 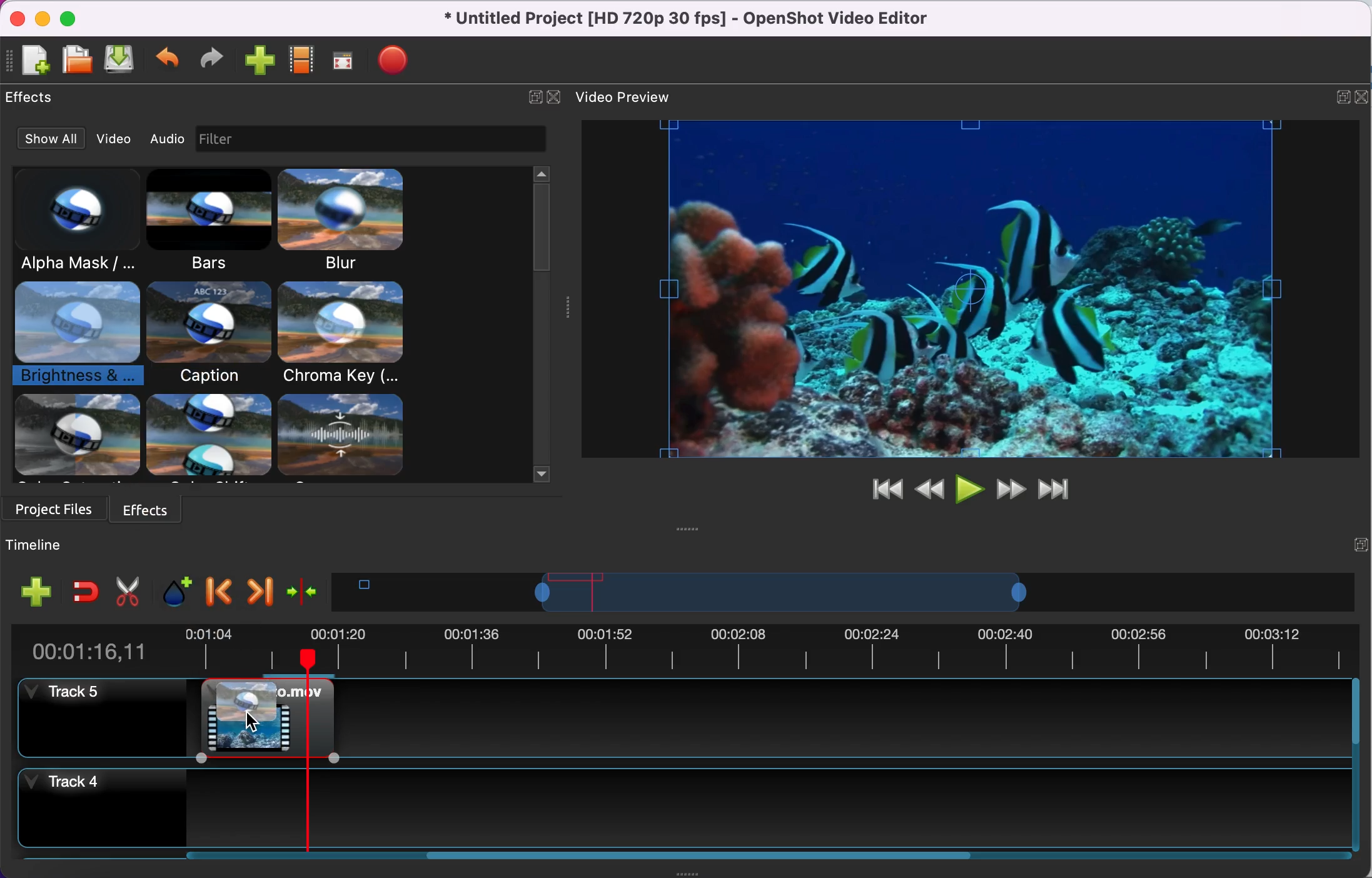 I want to click on track 4, so click(x=682, y=809).